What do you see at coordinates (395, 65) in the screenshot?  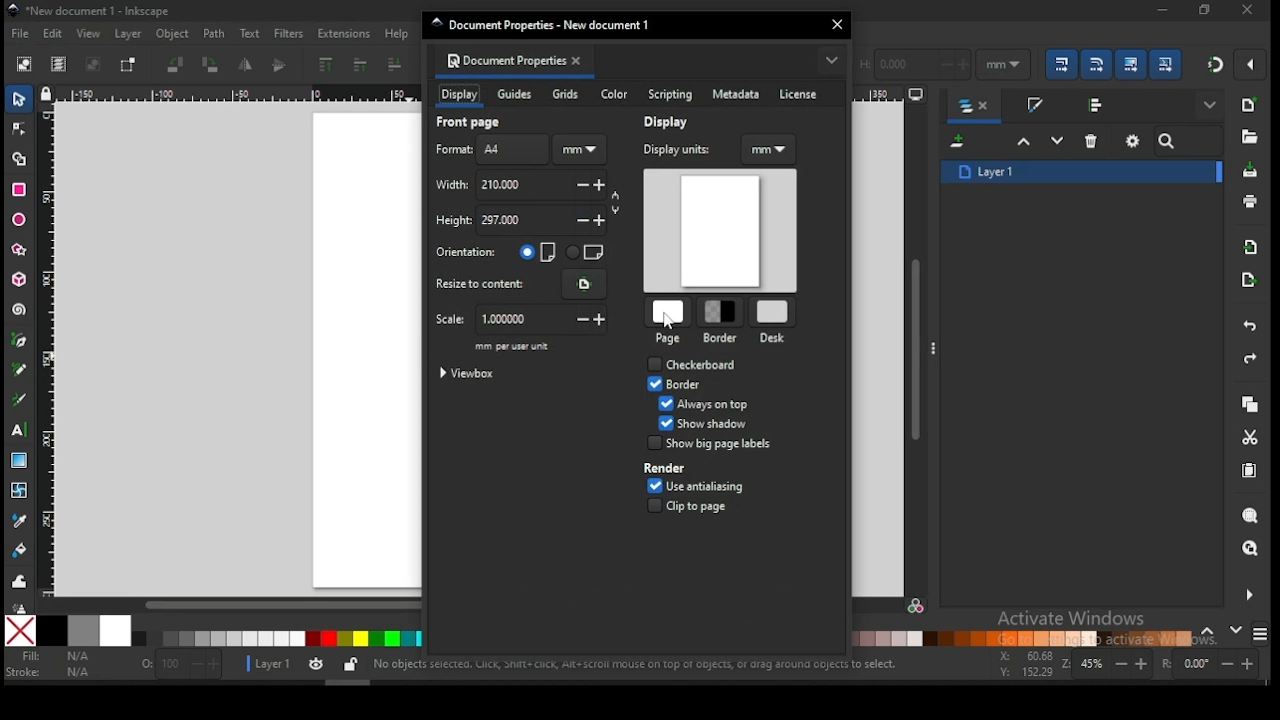 I see `lower` at bounding box center [395, 65].